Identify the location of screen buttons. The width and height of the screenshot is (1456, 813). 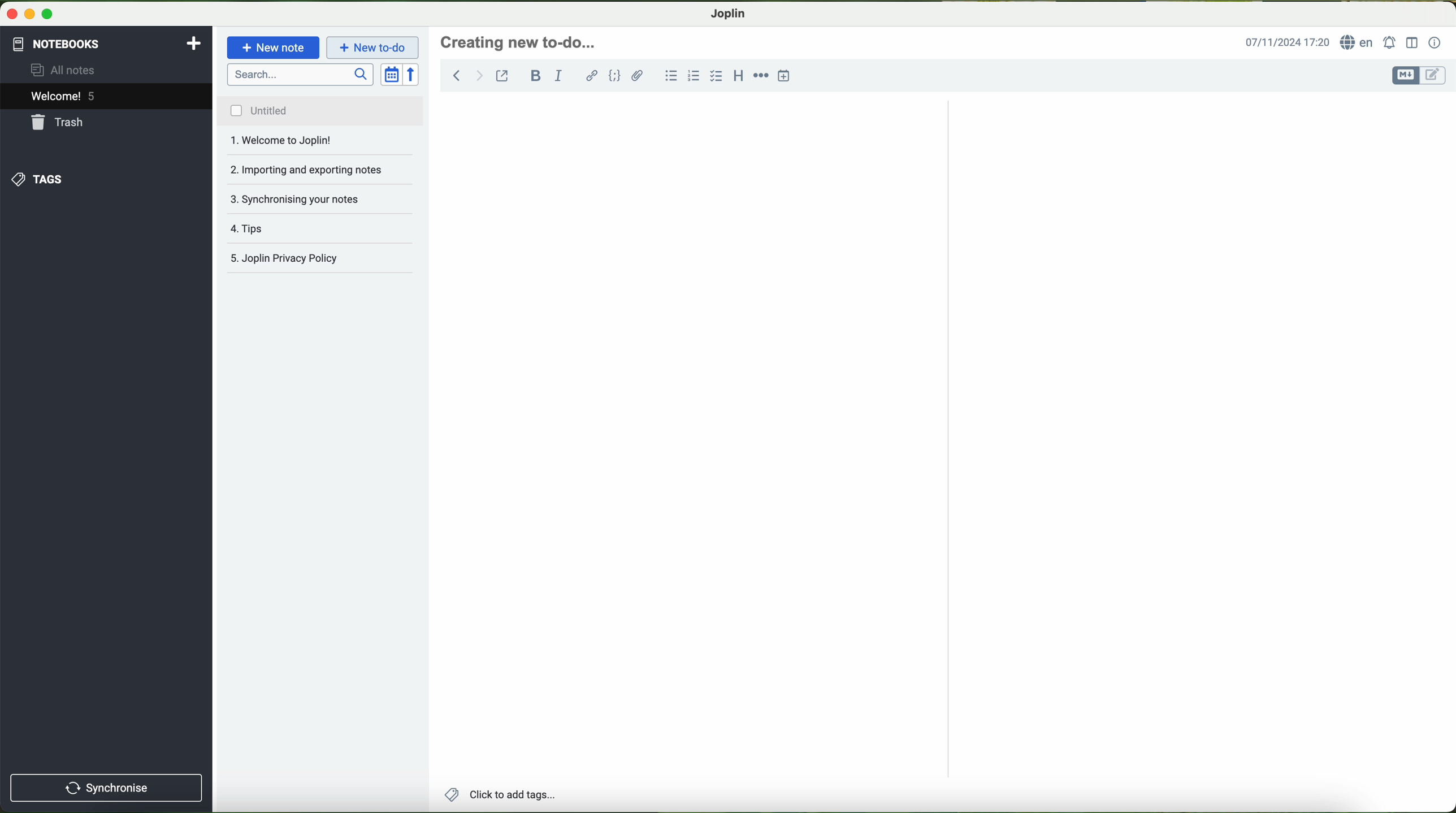
(28, 15).